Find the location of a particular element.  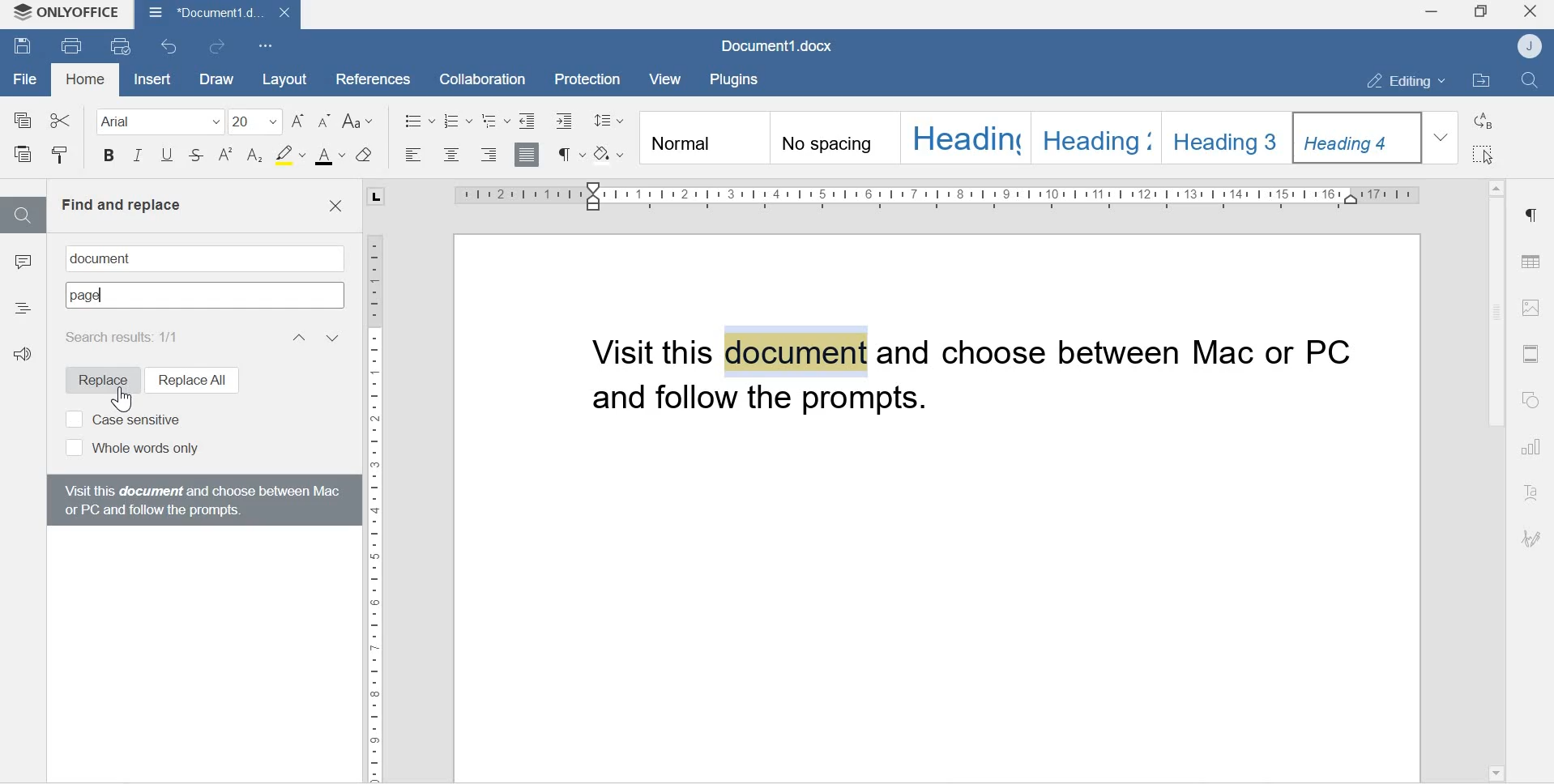

Find and replace is located at coordinates (121, 205).